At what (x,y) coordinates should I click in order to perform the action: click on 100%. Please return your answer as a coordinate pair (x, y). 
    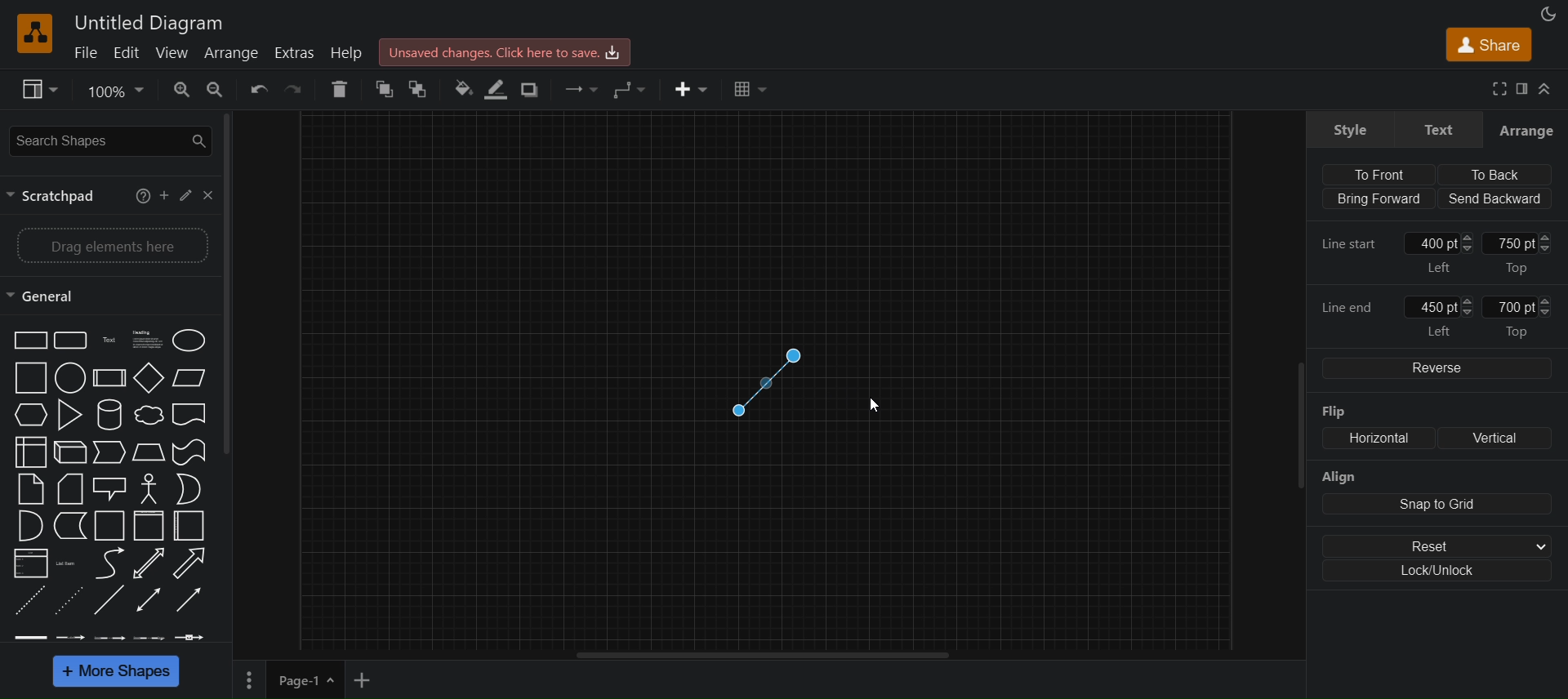
    Looking at the image, I should click on (115, 92).